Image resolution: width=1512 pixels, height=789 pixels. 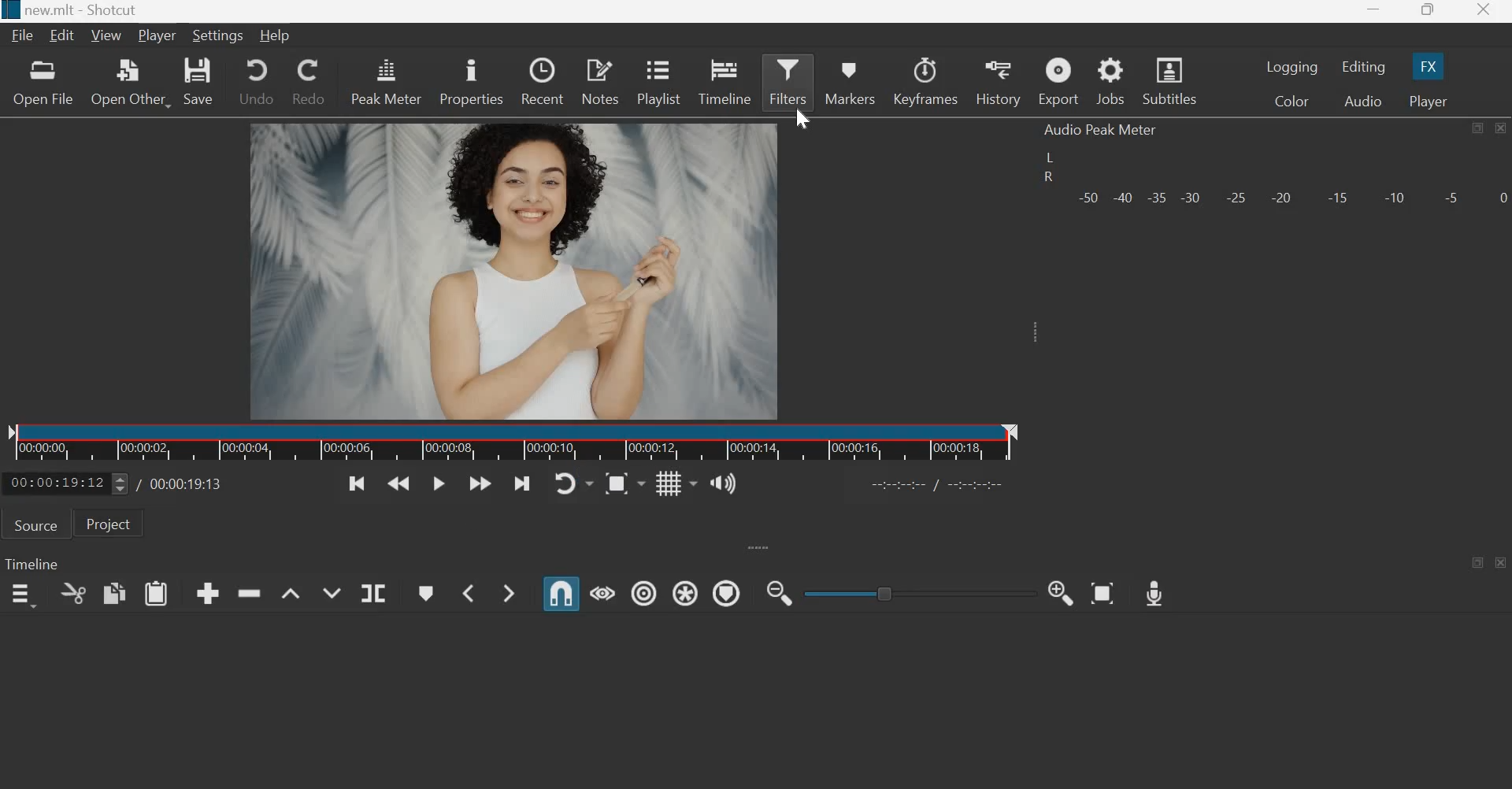 What do you see at coordinates (372, 594) in the screenshot?
I see `Split at playhead` at bounding box center [372, 594].